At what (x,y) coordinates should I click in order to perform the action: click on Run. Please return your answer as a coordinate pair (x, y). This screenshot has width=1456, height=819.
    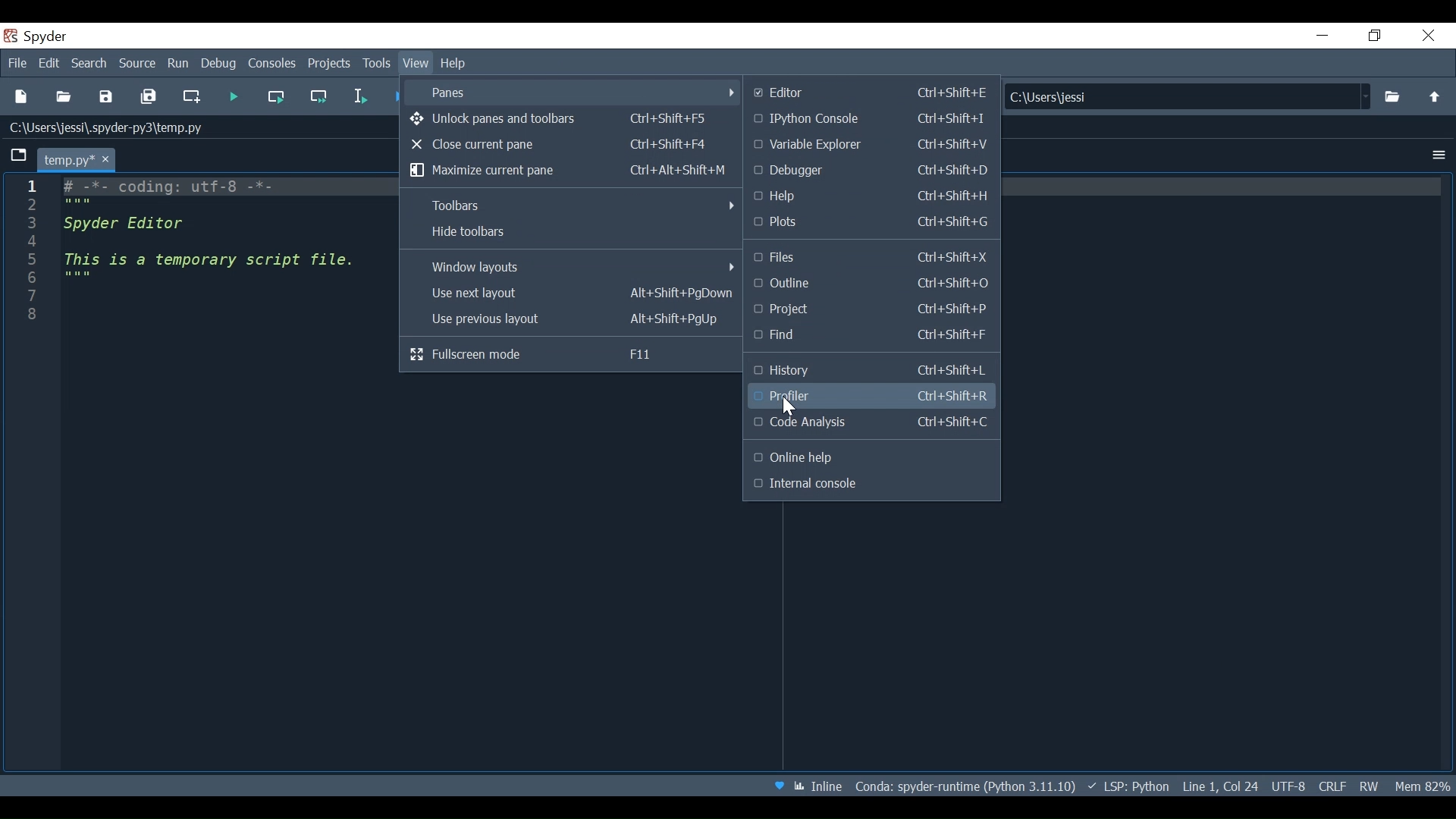
    Looking at the image, I should click on (233, 98).